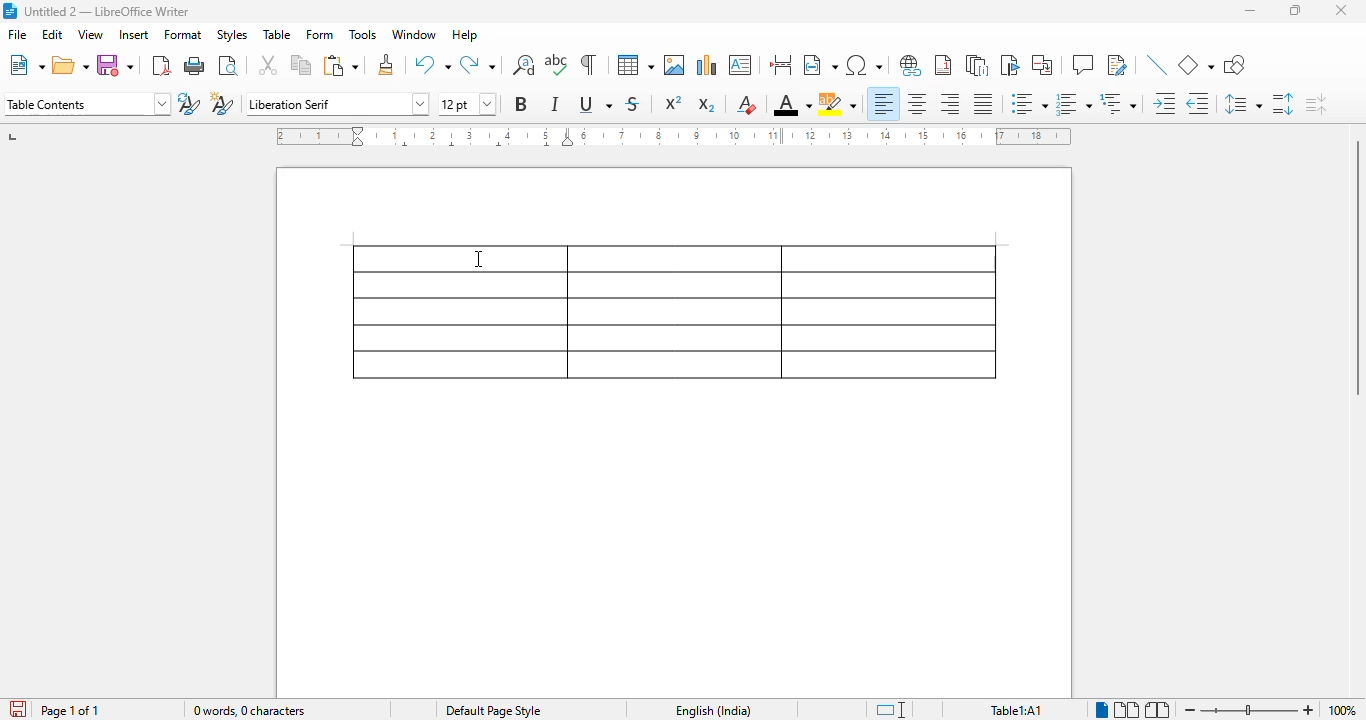 The image size is (1366, 720). What do you see at coordinates (468, 104) in the screenshot?
I see `font size` at bounding box center [468, 104].